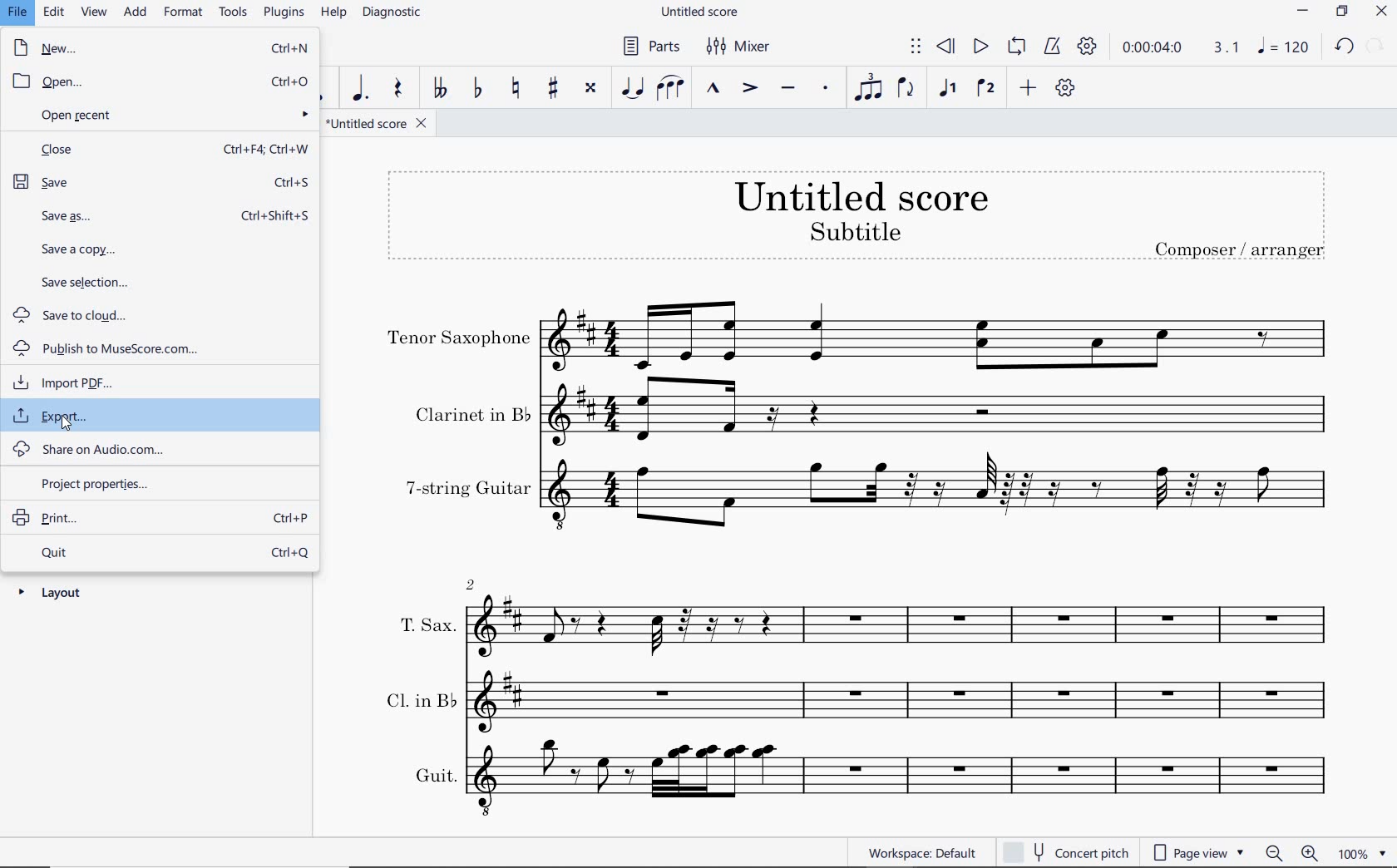  I want to click on WORKSPACE: DEFAULT, so click(903, 852).